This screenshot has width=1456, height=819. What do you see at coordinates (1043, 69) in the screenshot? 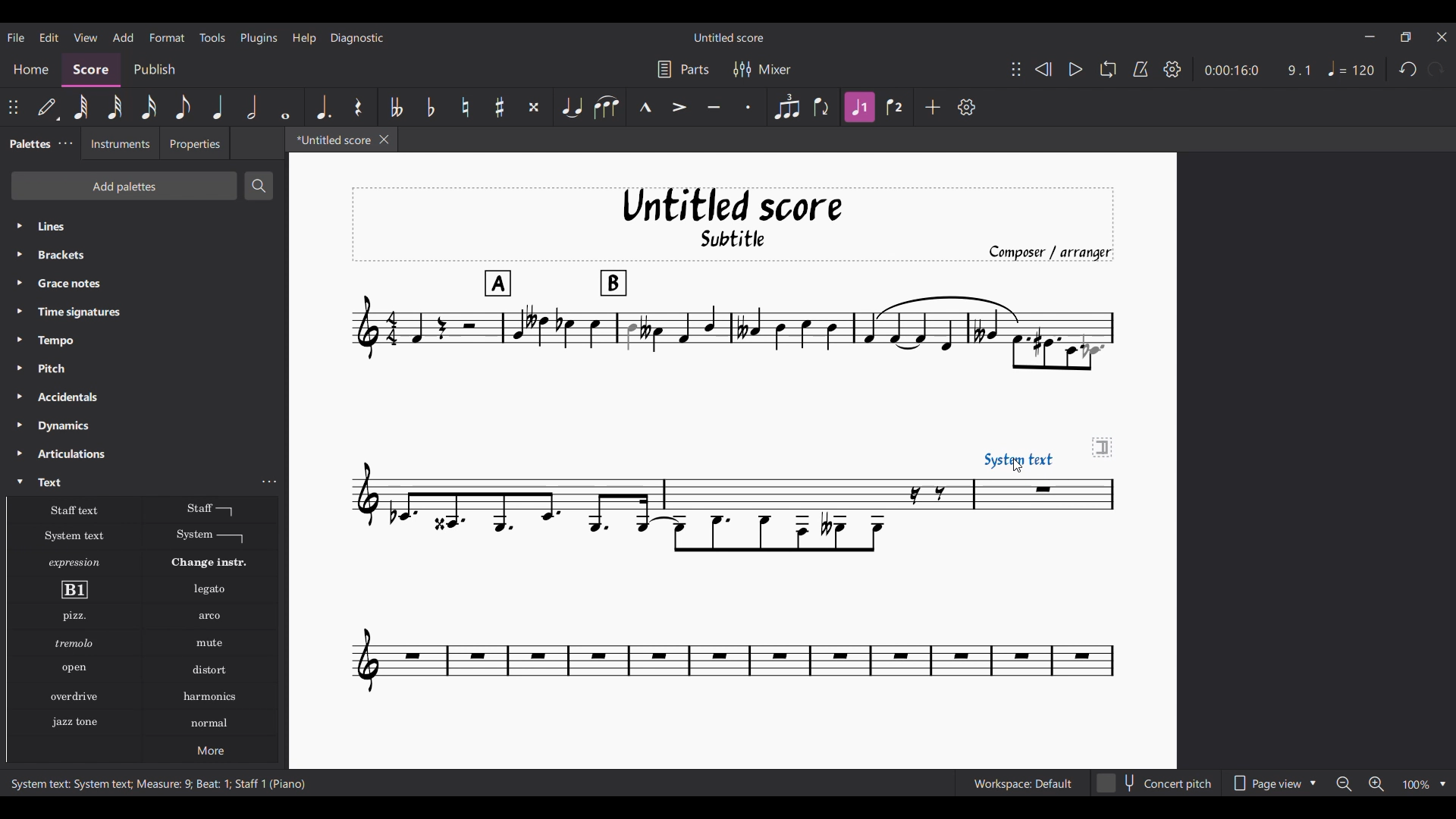
I see `Rewind` at bounding box center [1043, 69].